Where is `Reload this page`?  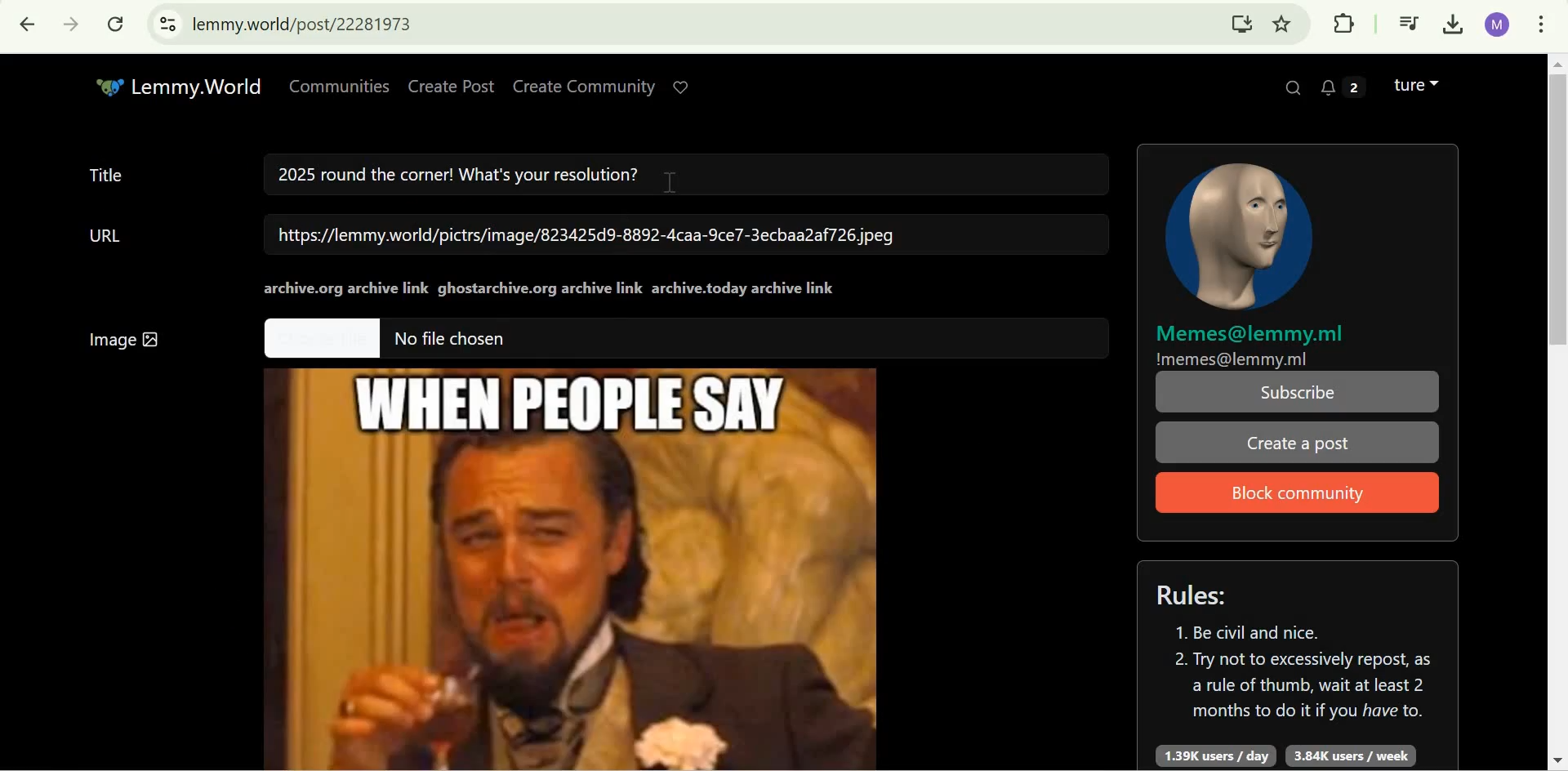
Reload this page is located at coordinates (118, 24).